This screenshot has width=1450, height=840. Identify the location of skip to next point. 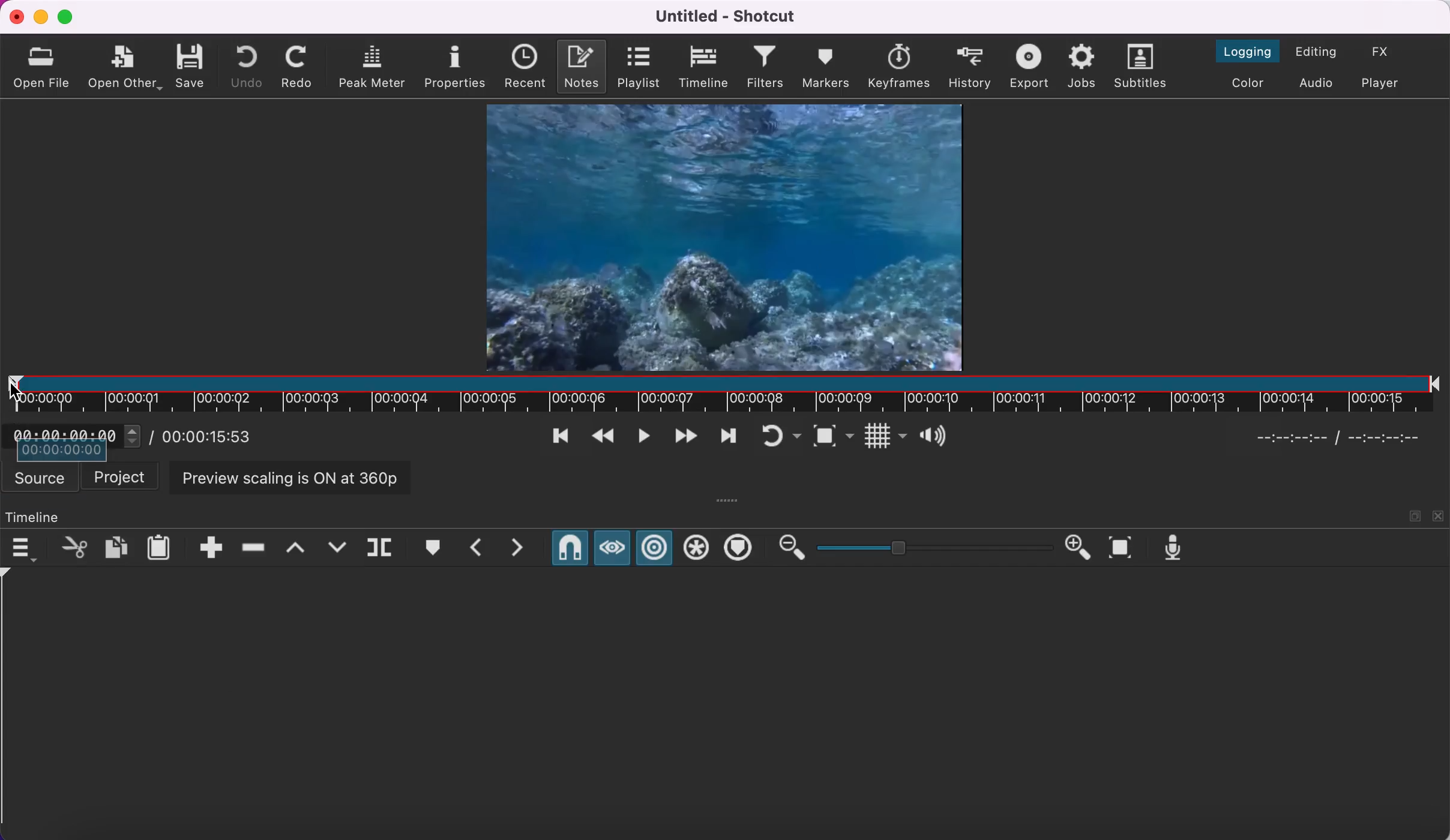
(728, 436).